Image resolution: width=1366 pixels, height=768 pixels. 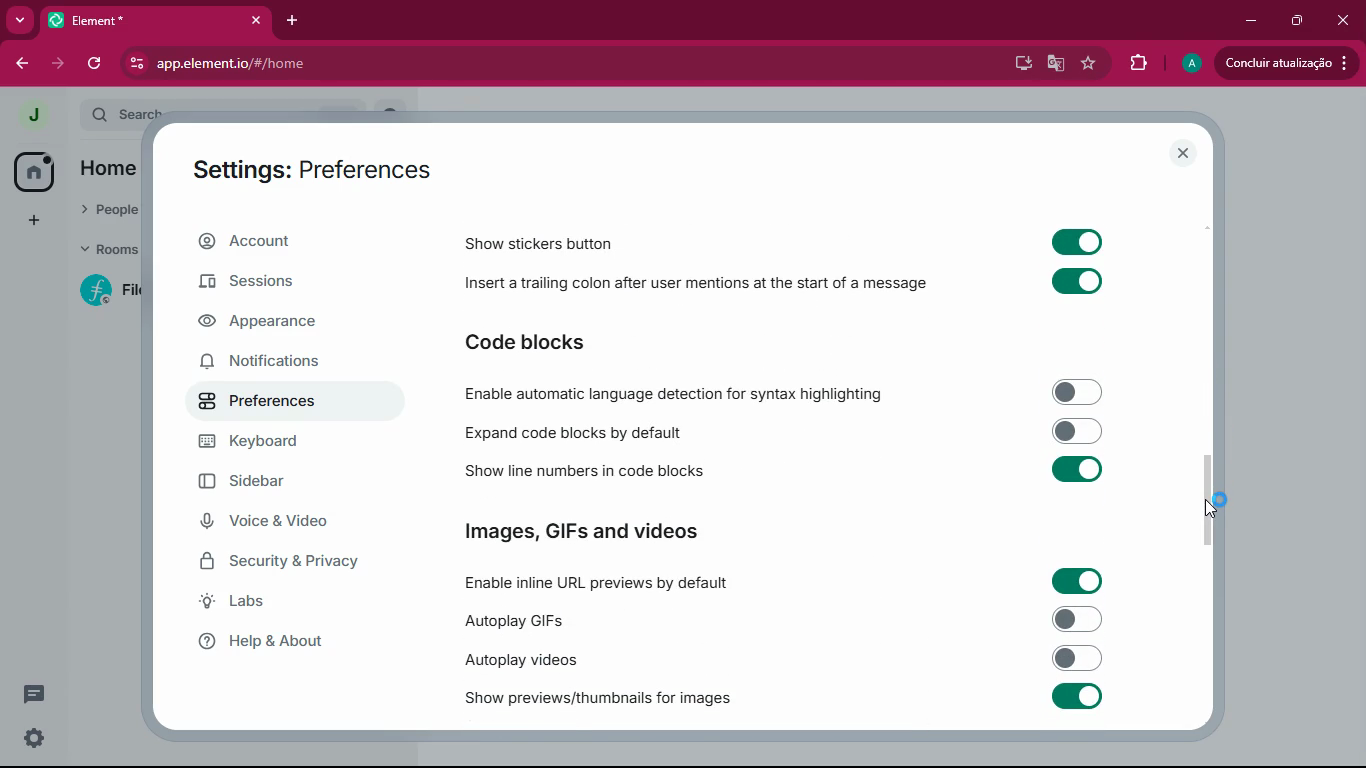 I want to click on add, so click(x=37, y=221).